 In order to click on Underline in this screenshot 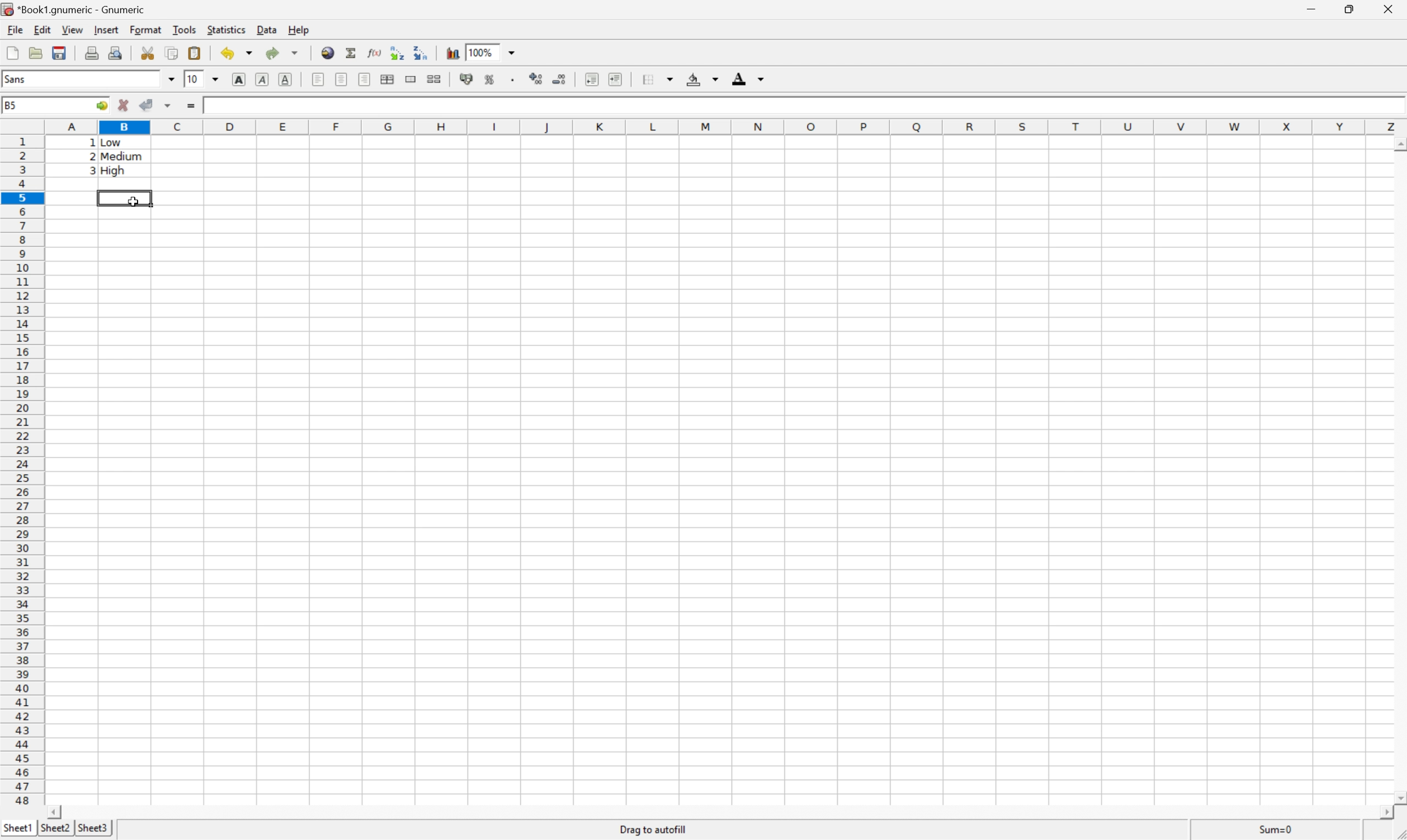, I will do `click(286, 78)`.